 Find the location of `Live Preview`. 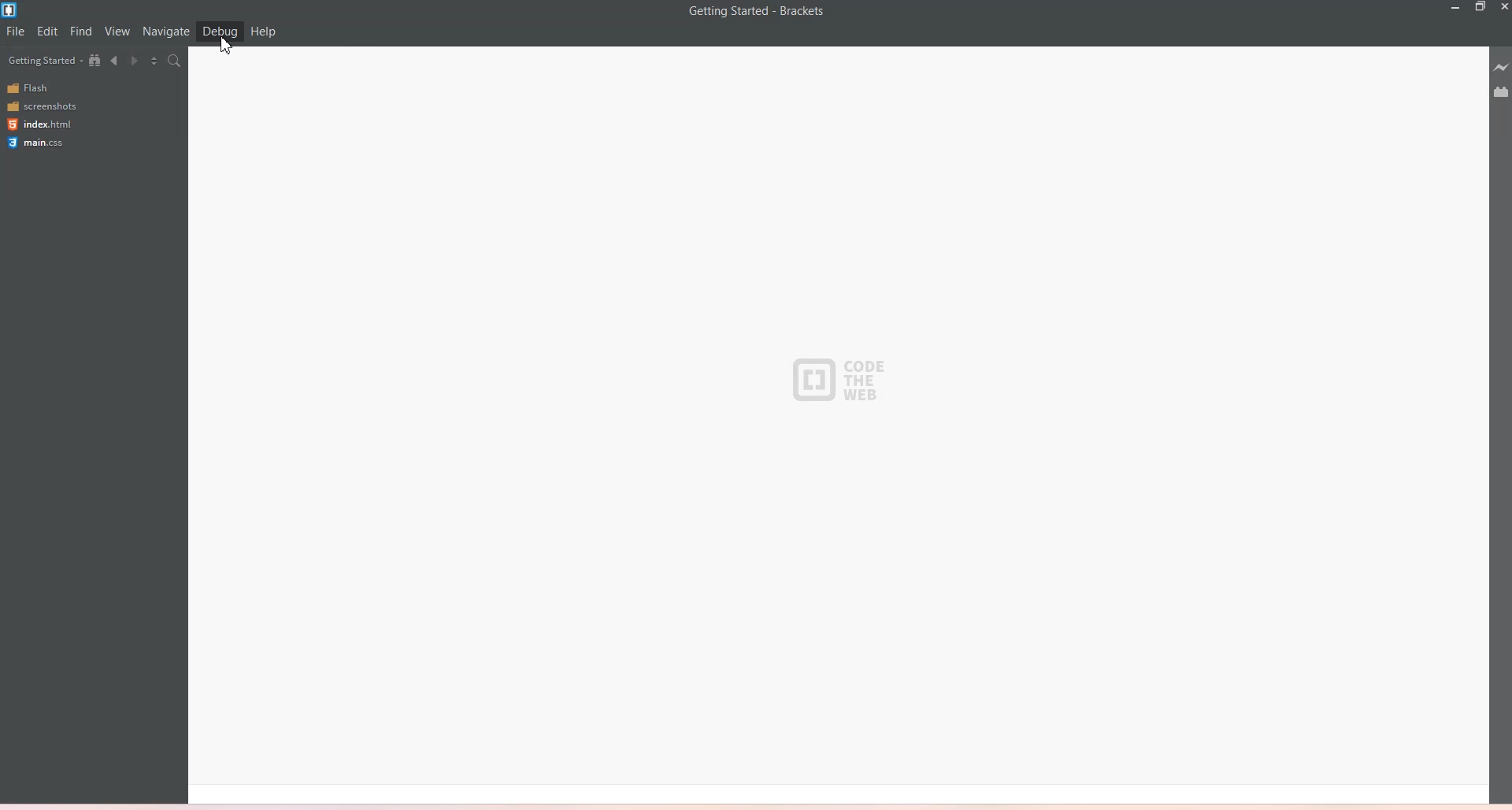

Live Preview is located at coordinates (1499, 68).